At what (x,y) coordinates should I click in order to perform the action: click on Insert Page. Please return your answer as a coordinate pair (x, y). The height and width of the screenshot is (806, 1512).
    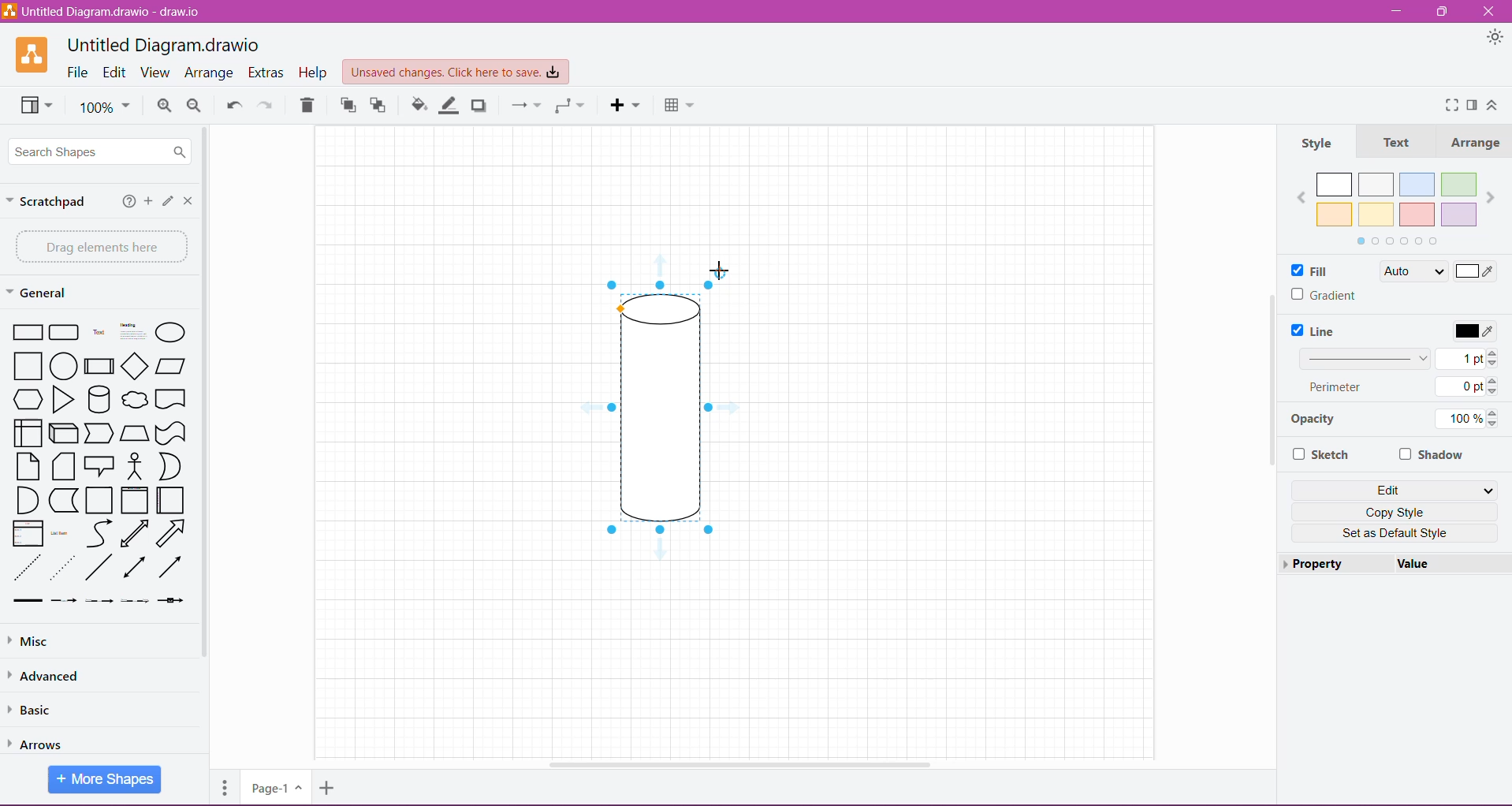
    Looking at the image, I should click on (326, 790).